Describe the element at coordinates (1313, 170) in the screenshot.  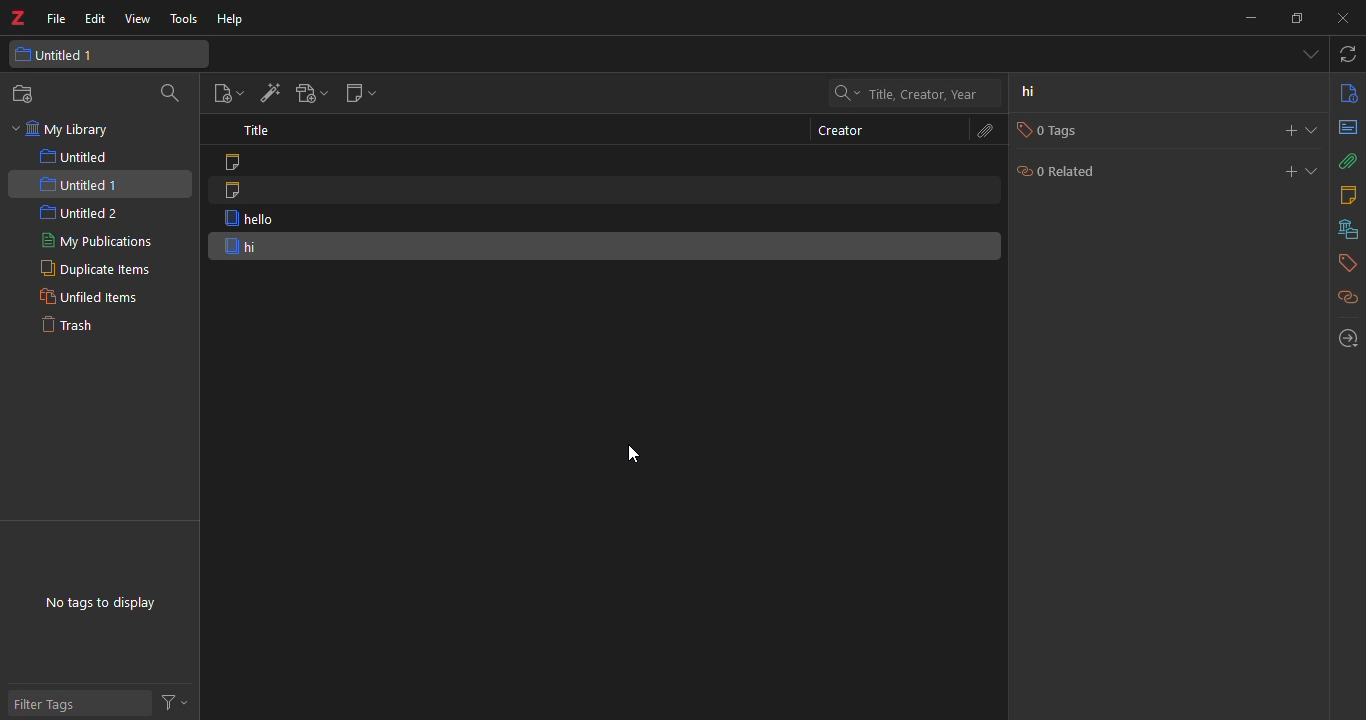
I see `expand` at that location.